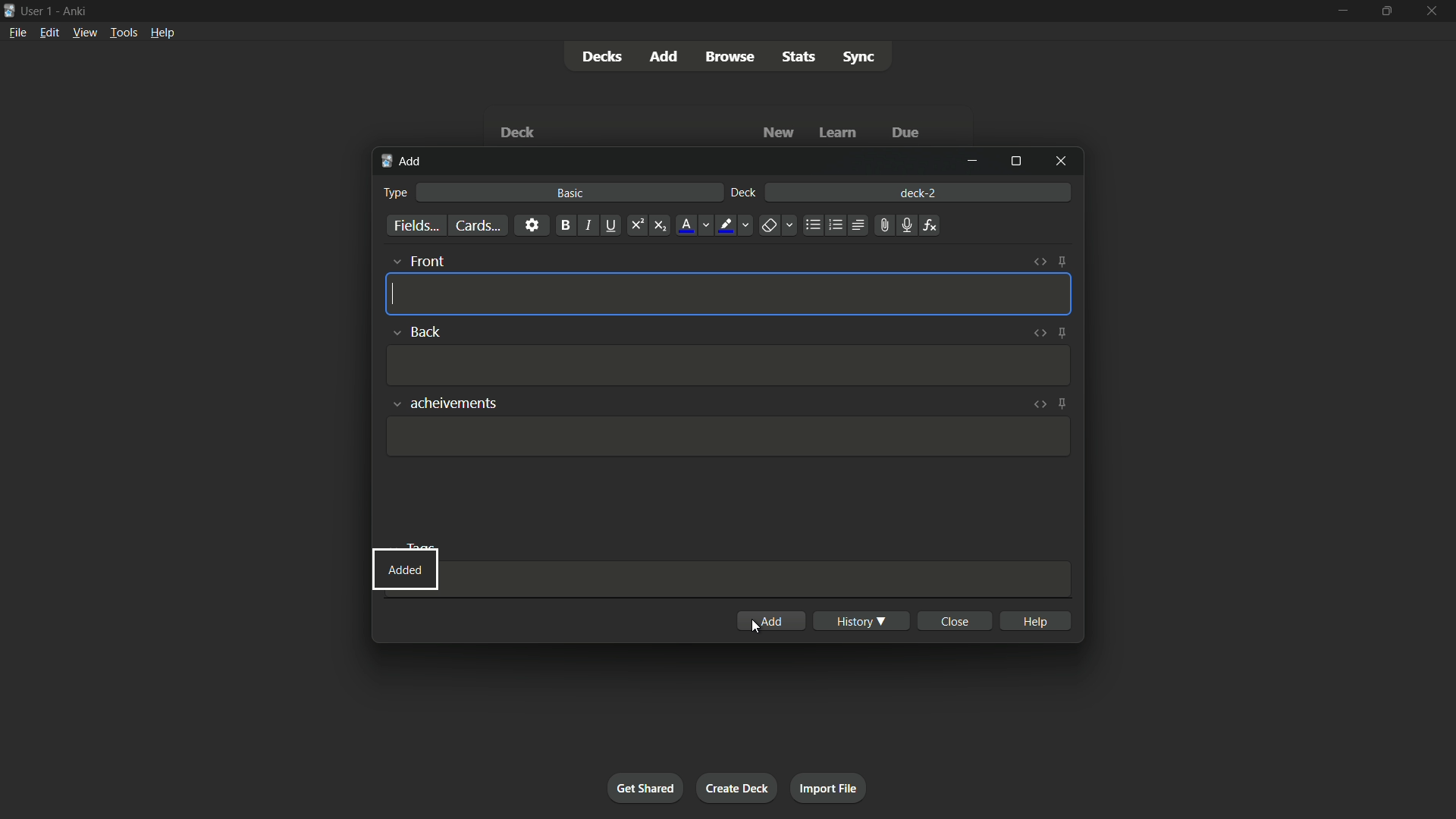 This screenshot has width=1456, height=819. What do you see at coordinates (777, 225) in the screenshot?
I see `remove formatting` at bounding box center [777, 225].